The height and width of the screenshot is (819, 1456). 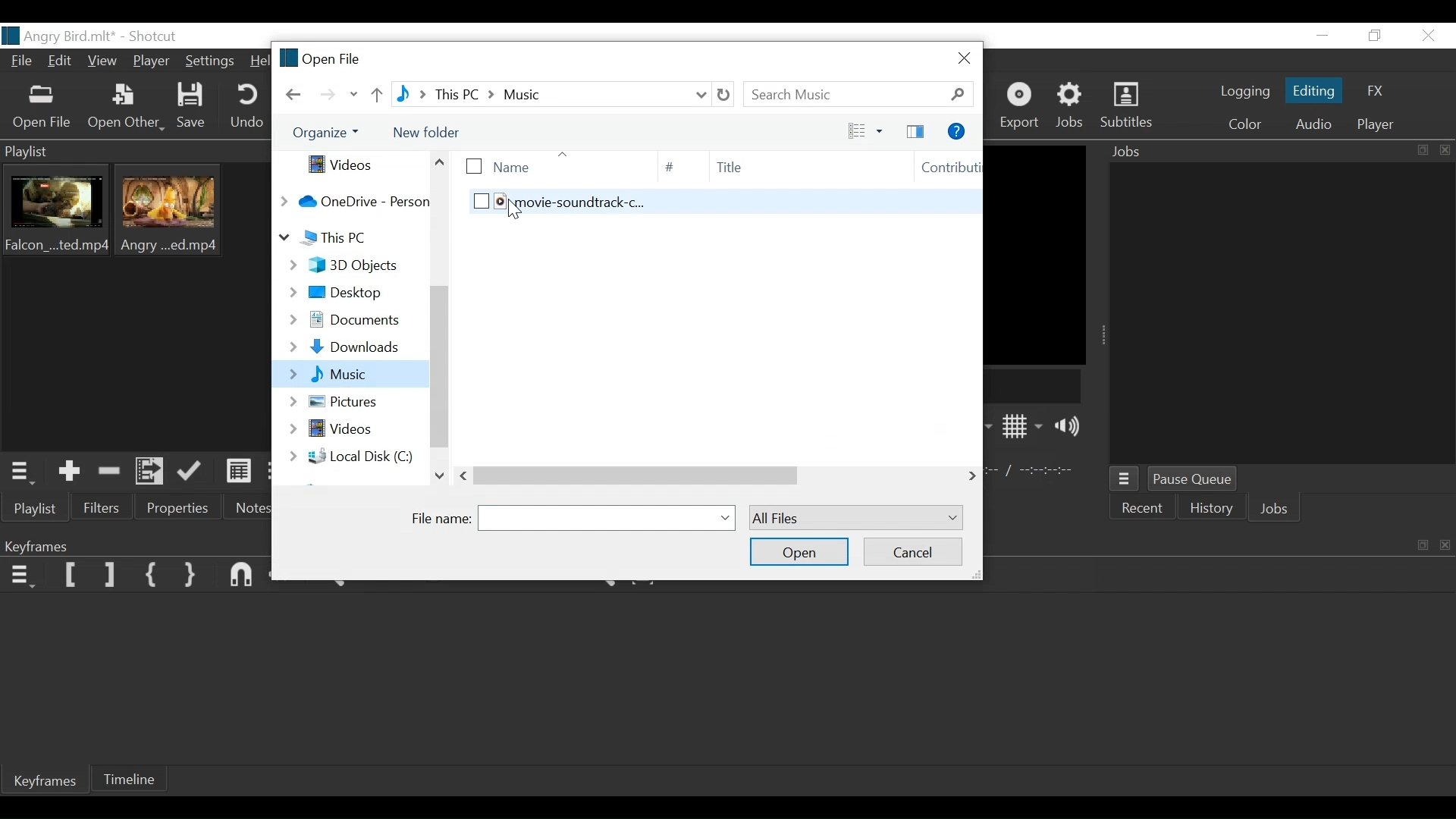 What do you see at coordinates (353, 430) in the screenshot?
I see `Videos` at bounding box center [353, 430].